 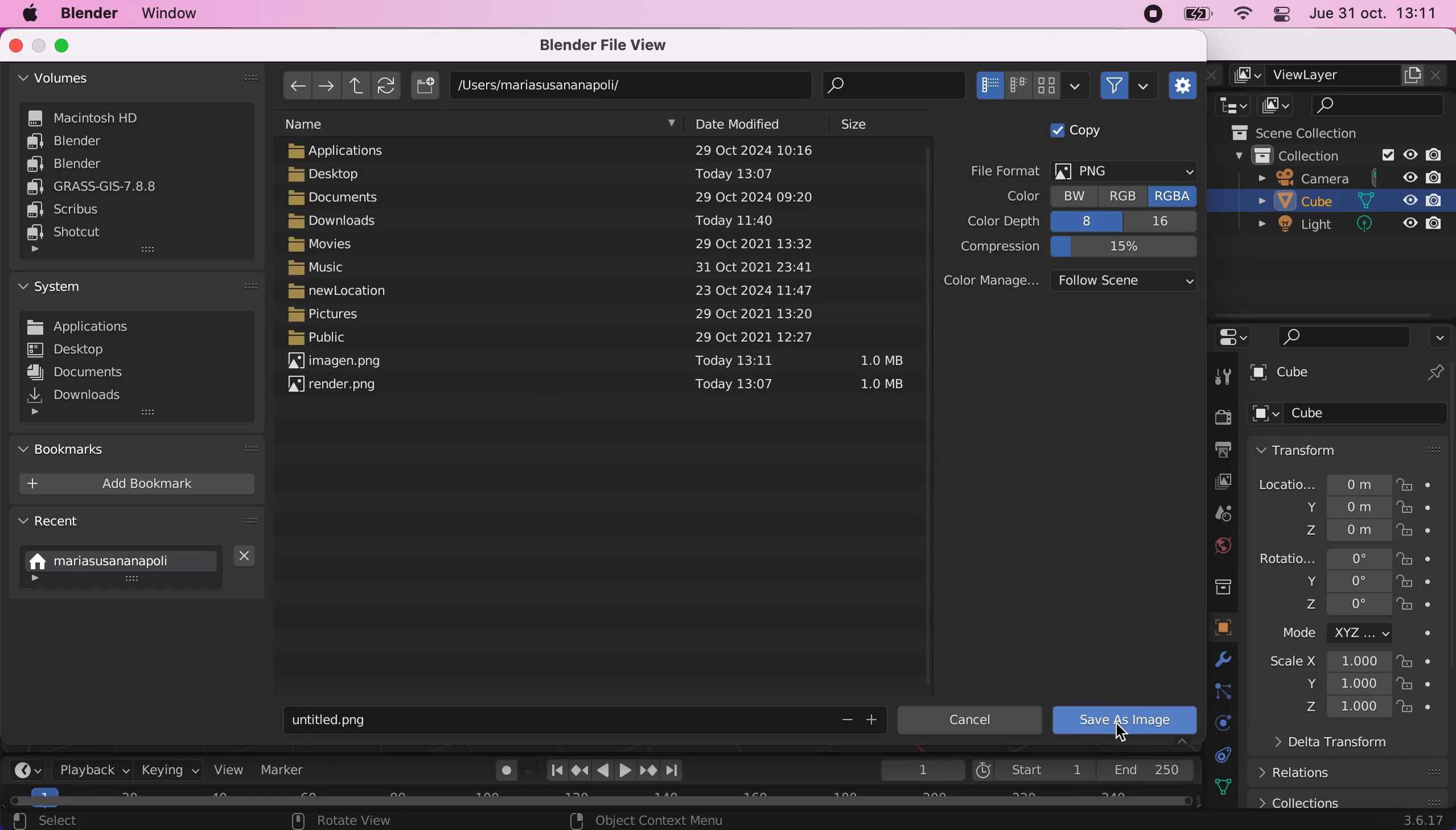 I want to click on name, so click(x=480, y=124).